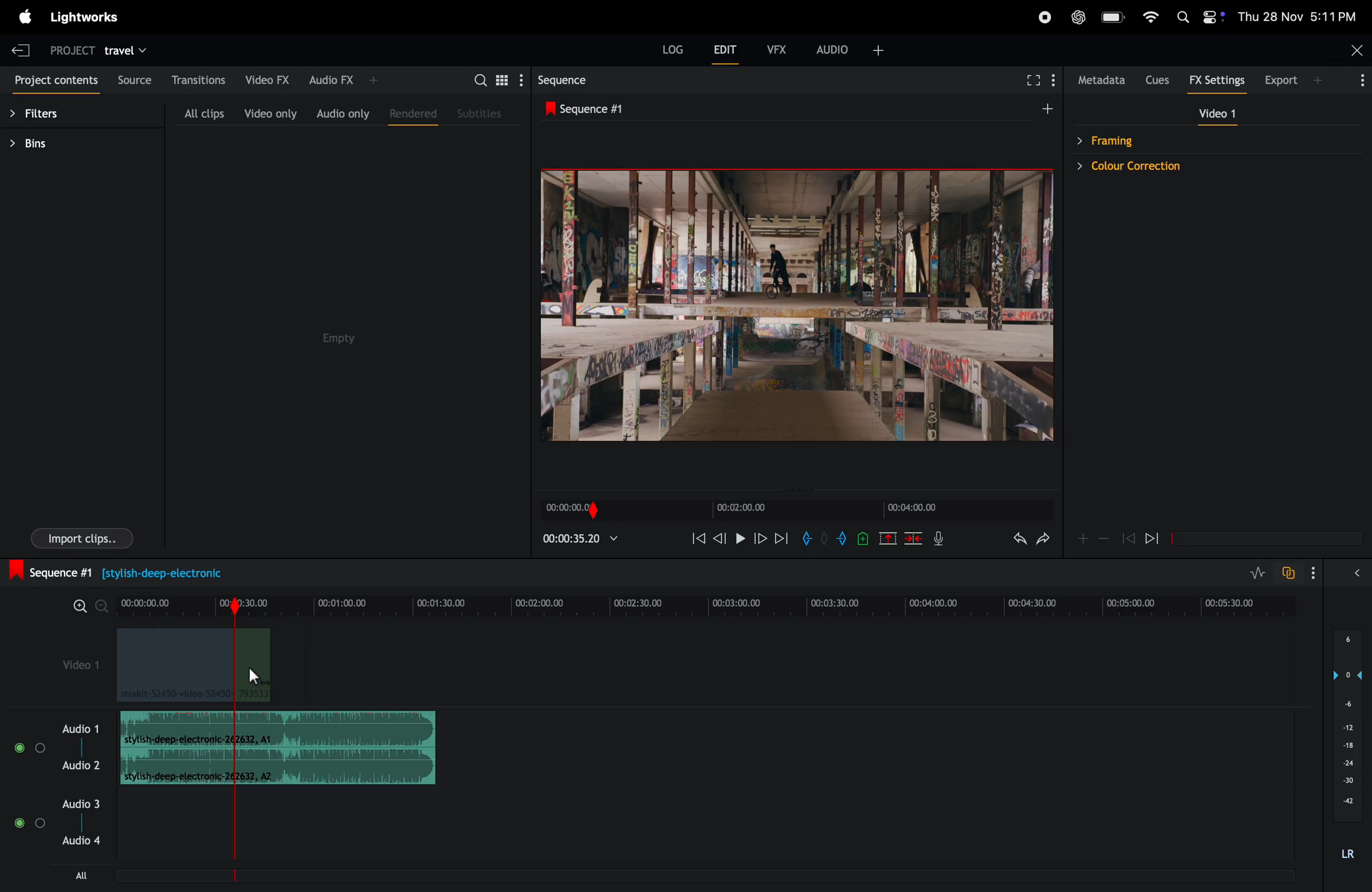 Image resolution: width=1372 pixels, height=892 pixels. Describe the element at coordinates (269, 114) in the screenshot. I see `video only` at that location.